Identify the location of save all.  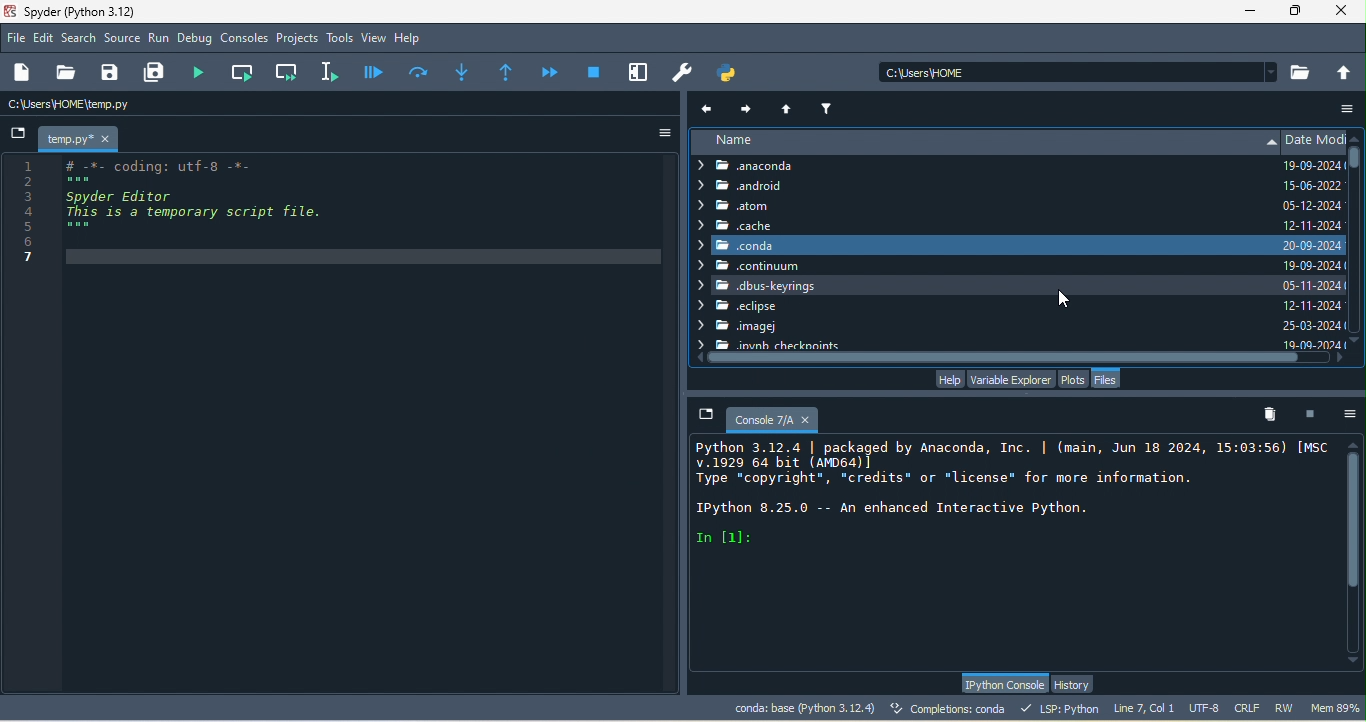
(158, 73).